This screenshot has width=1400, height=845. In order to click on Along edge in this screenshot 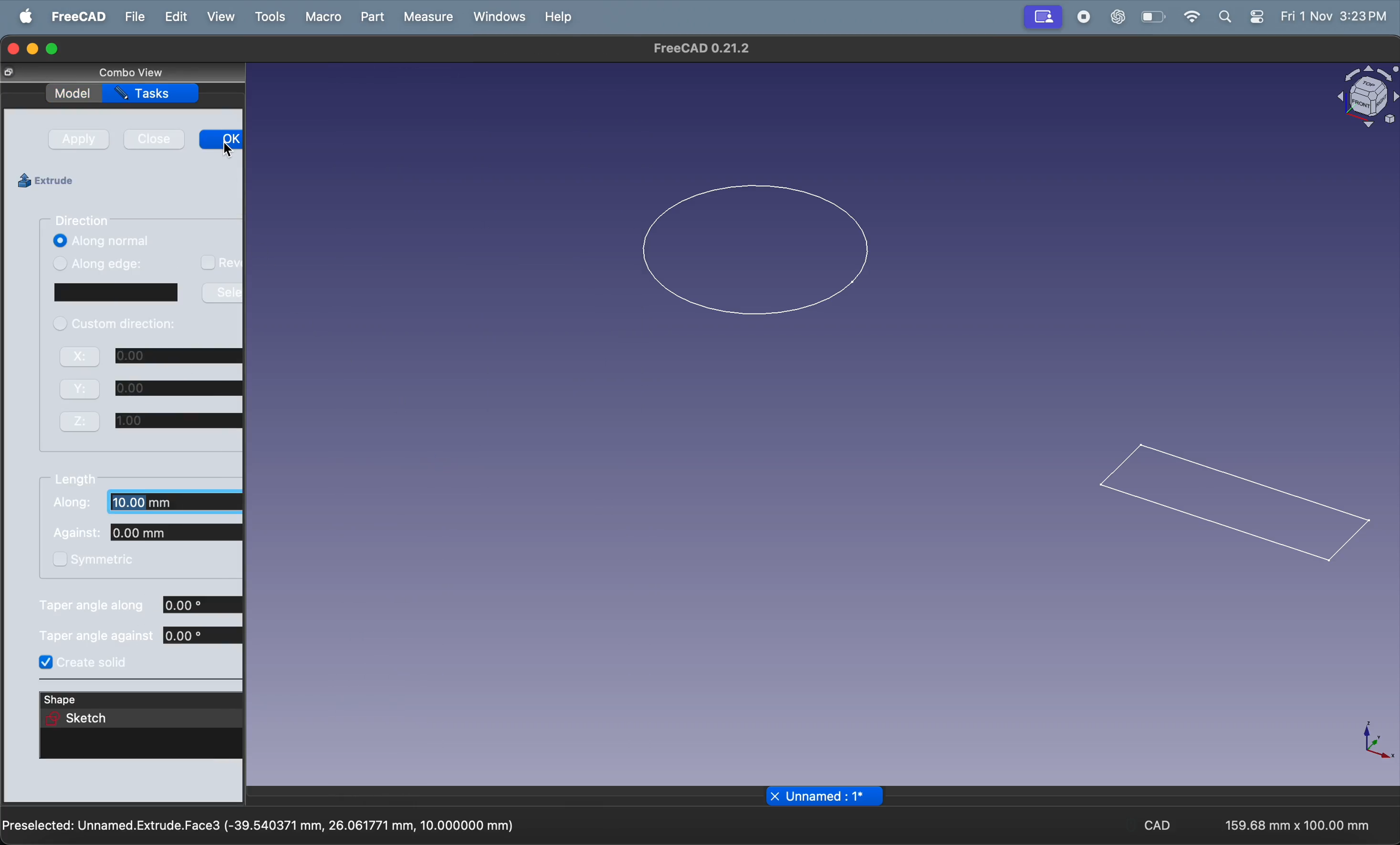, I will do `click(111, 267)`.